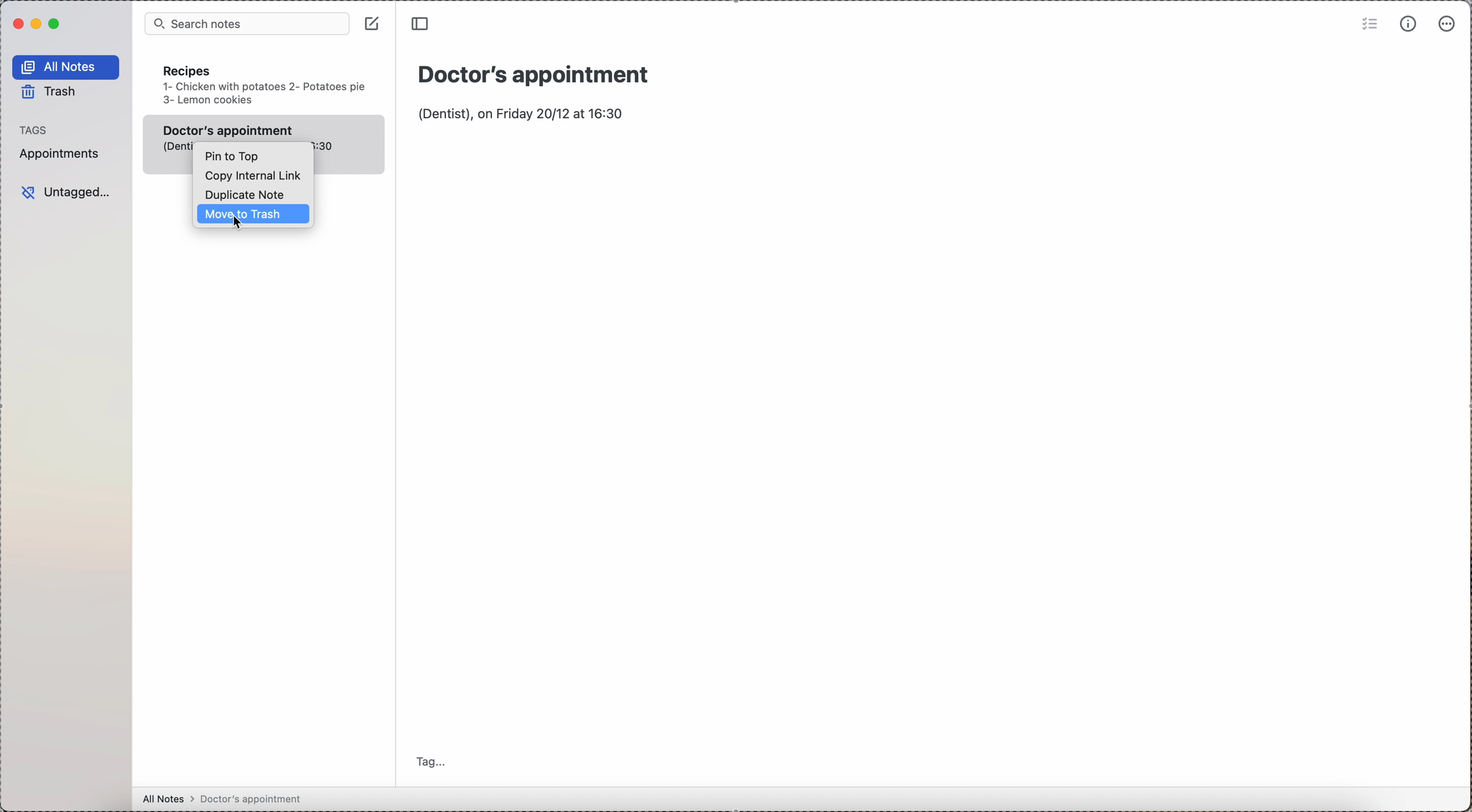 The height and width of the screenshot is (812, 1472). Describe the element at coordinates (540, 71) in the screenshot. I see `title: Doctor's appointment` at that location.